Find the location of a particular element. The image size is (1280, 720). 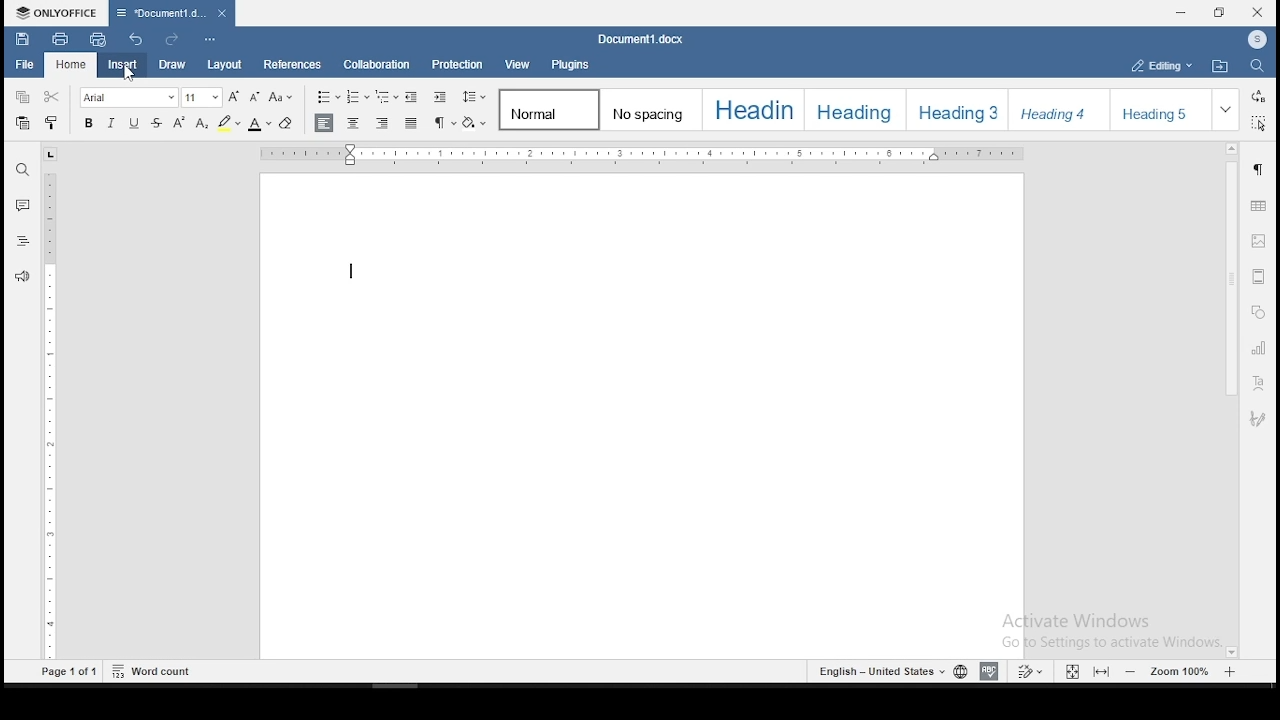

font size is located at coordinates (203, 96).